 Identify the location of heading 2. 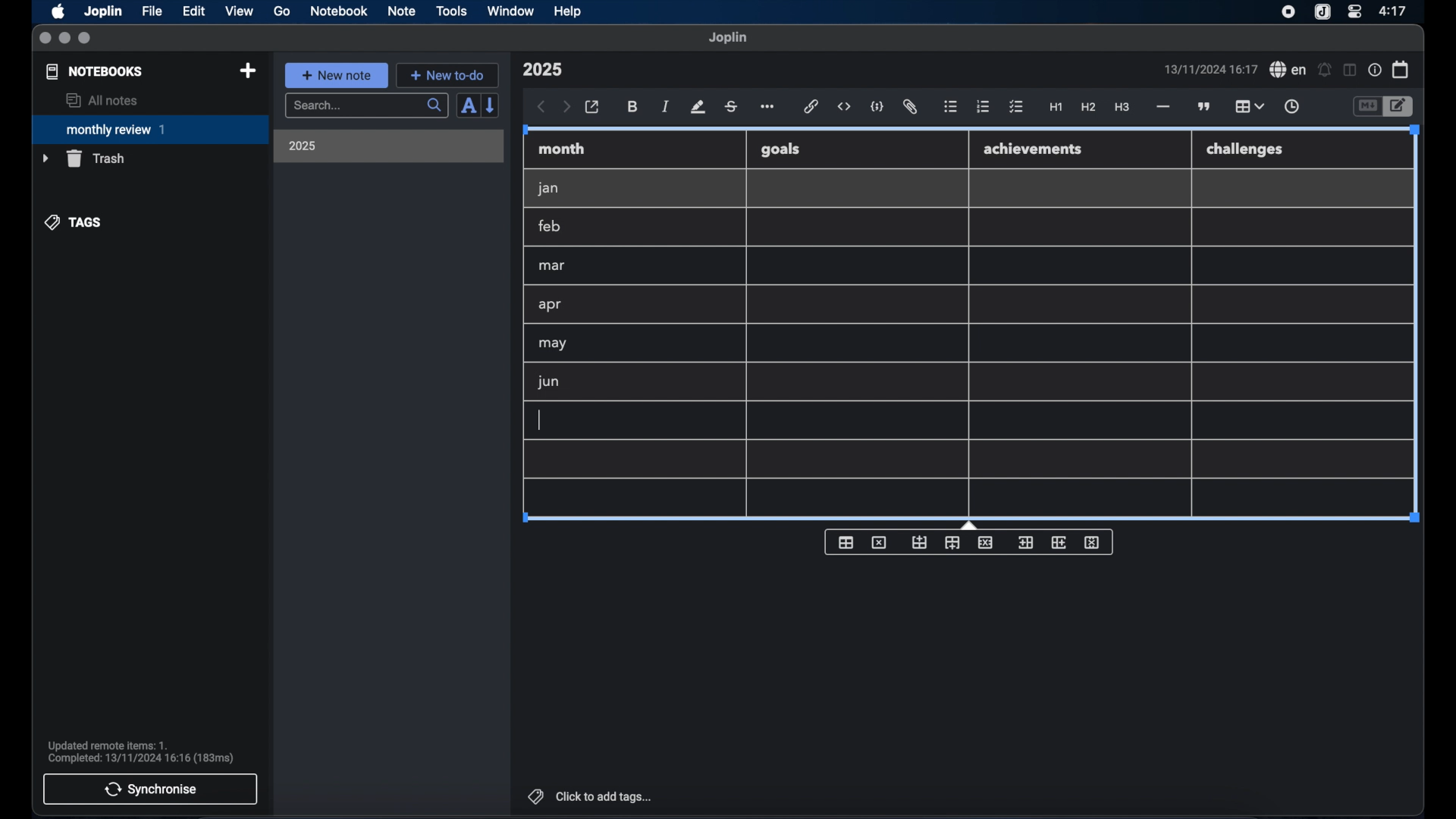
(1089, 108).